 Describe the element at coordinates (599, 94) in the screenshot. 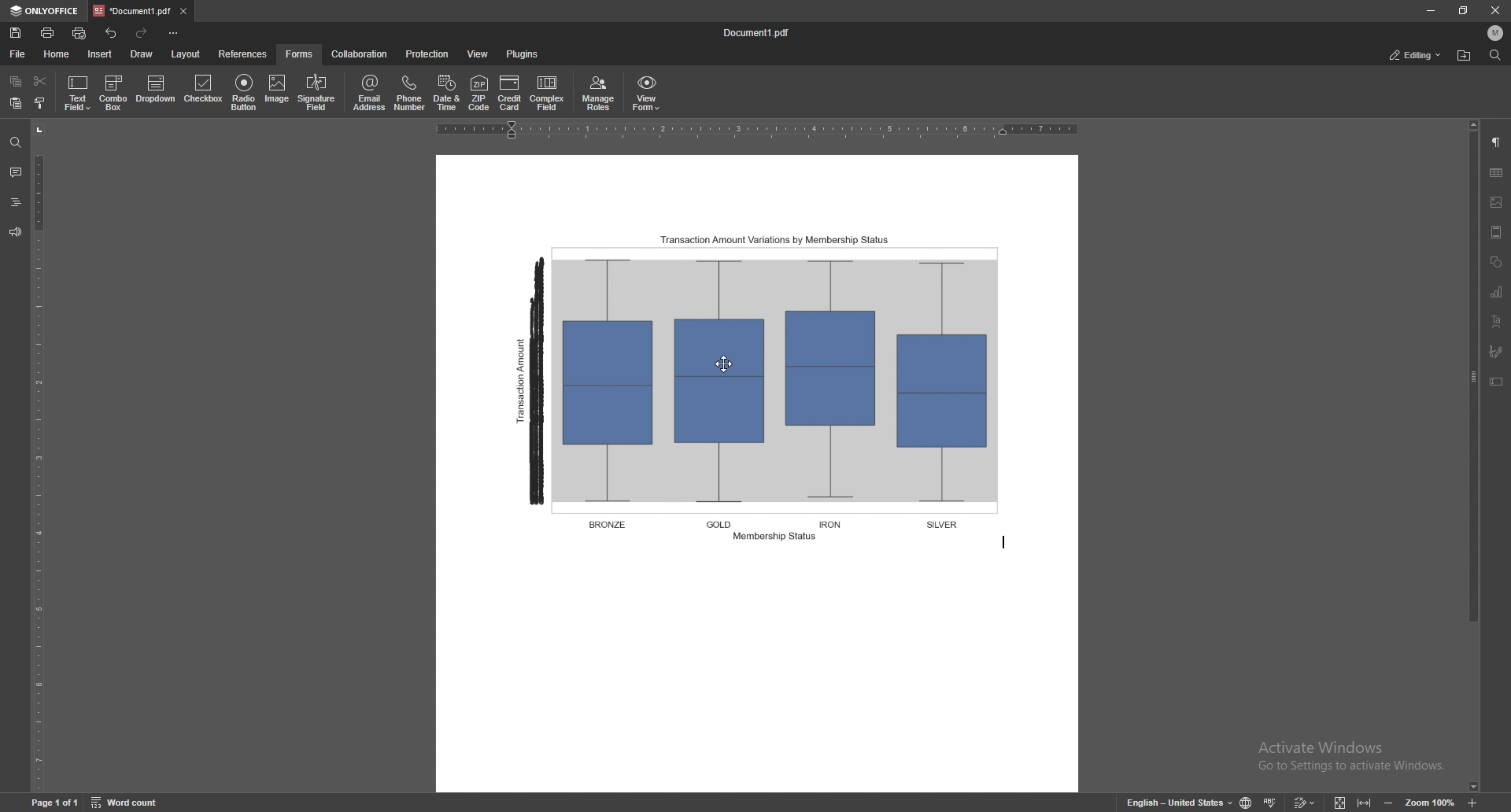

I see `manage roles` at that location.